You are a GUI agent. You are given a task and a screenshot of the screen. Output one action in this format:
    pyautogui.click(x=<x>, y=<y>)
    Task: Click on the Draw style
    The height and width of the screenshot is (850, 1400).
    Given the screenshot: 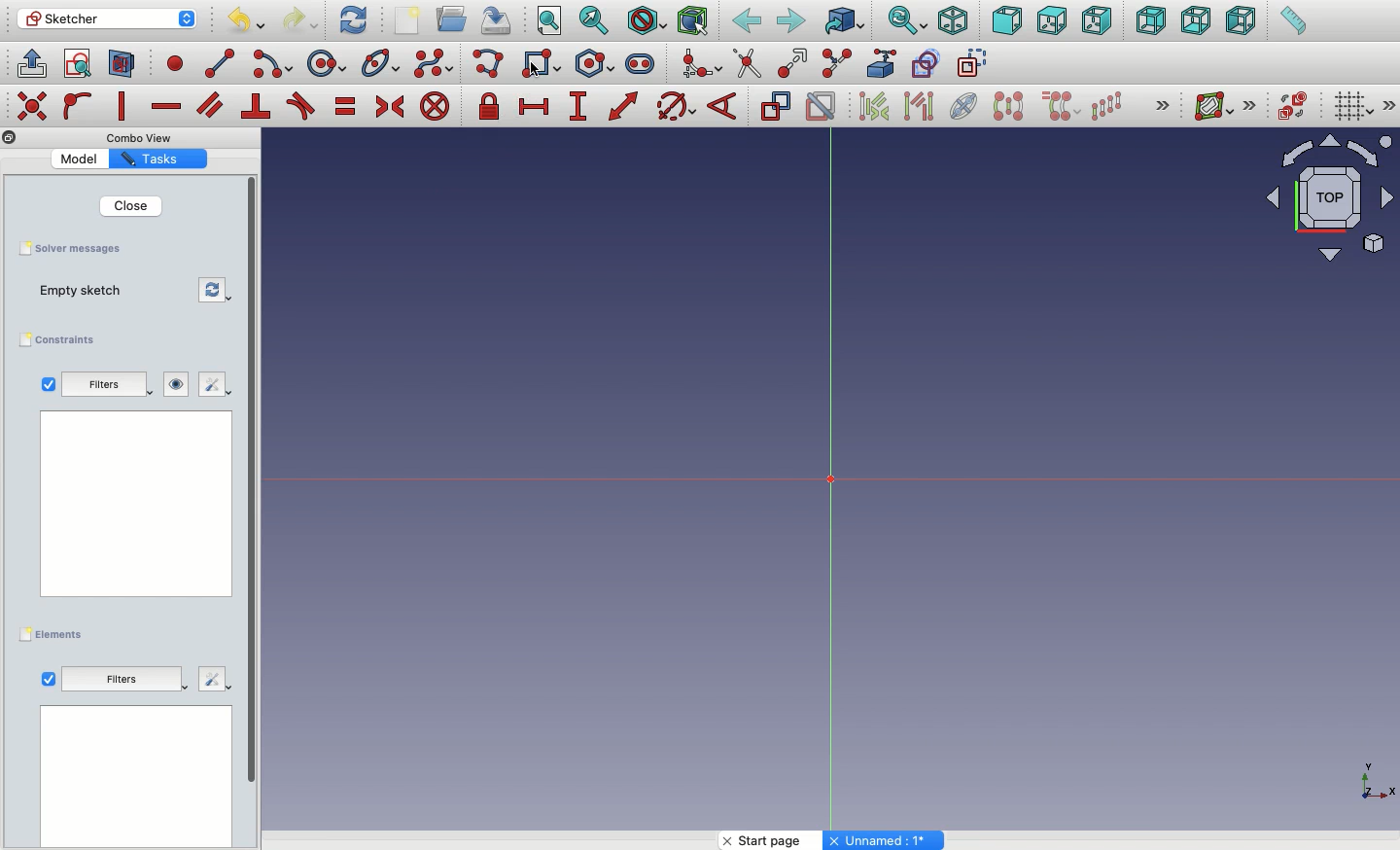 What is the action you would take?
    pyautogui.click(x=646, y=21)
    